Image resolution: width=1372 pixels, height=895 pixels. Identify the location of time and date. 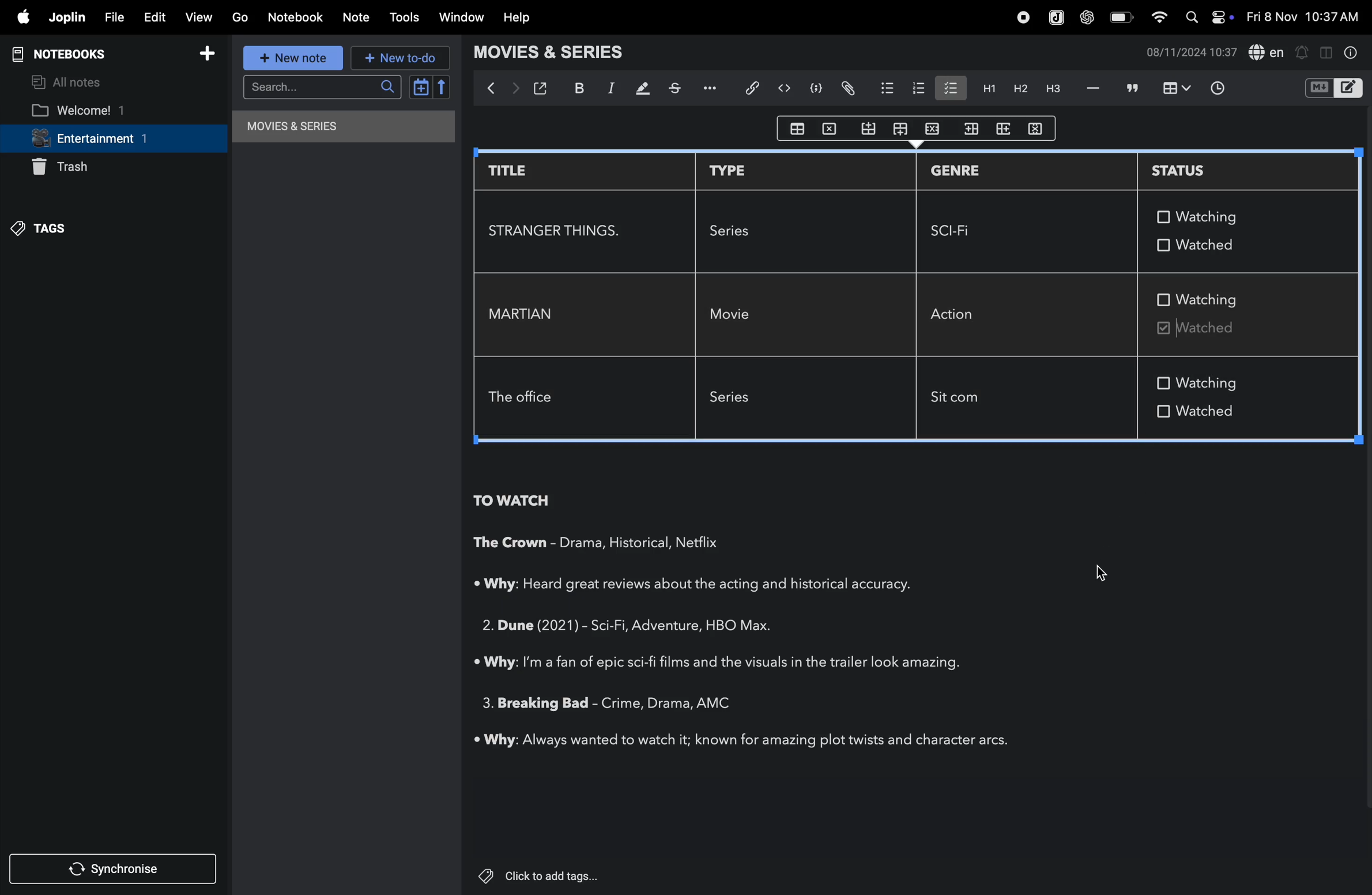
(1302, 17).